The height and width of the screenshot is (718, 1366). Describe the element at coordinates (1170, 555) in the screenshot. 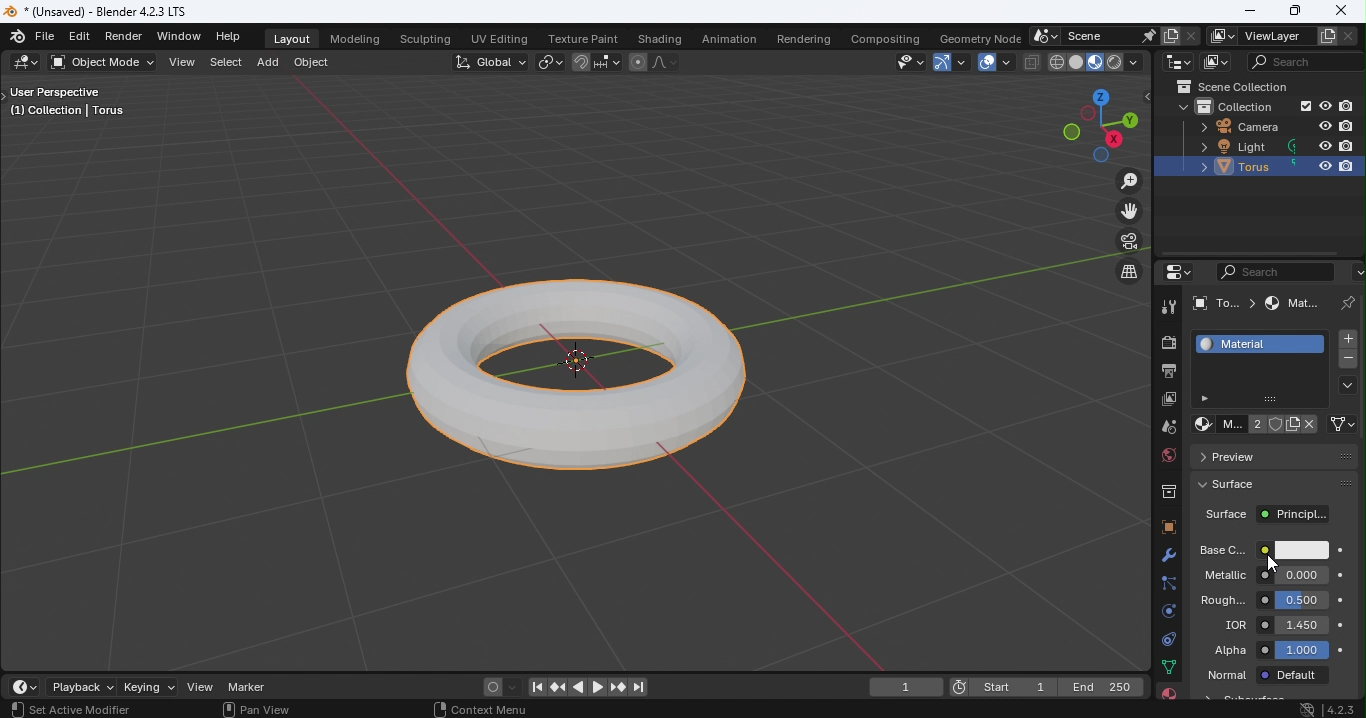

I see `Modifiers` at that location.